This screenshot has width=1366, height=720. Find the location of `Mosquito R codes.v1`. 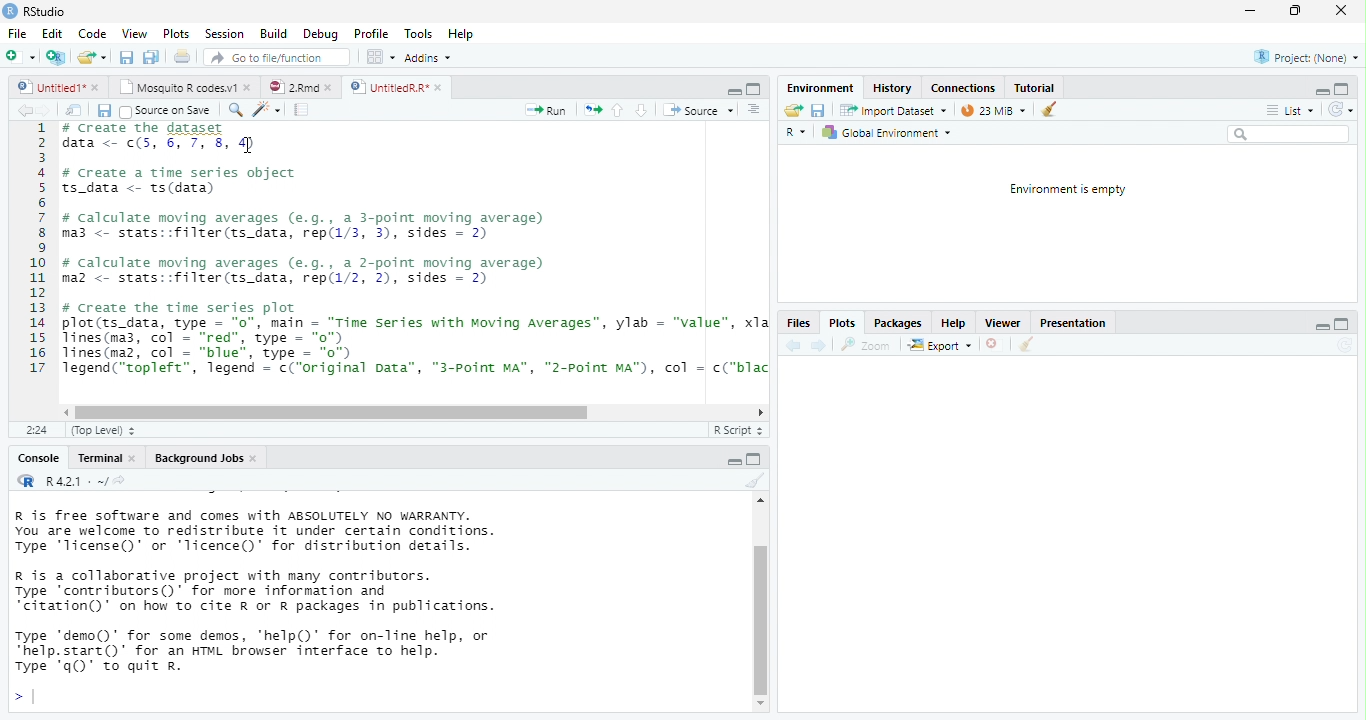

Mosquito R codes.v1 is located at coordinates (180, 86).